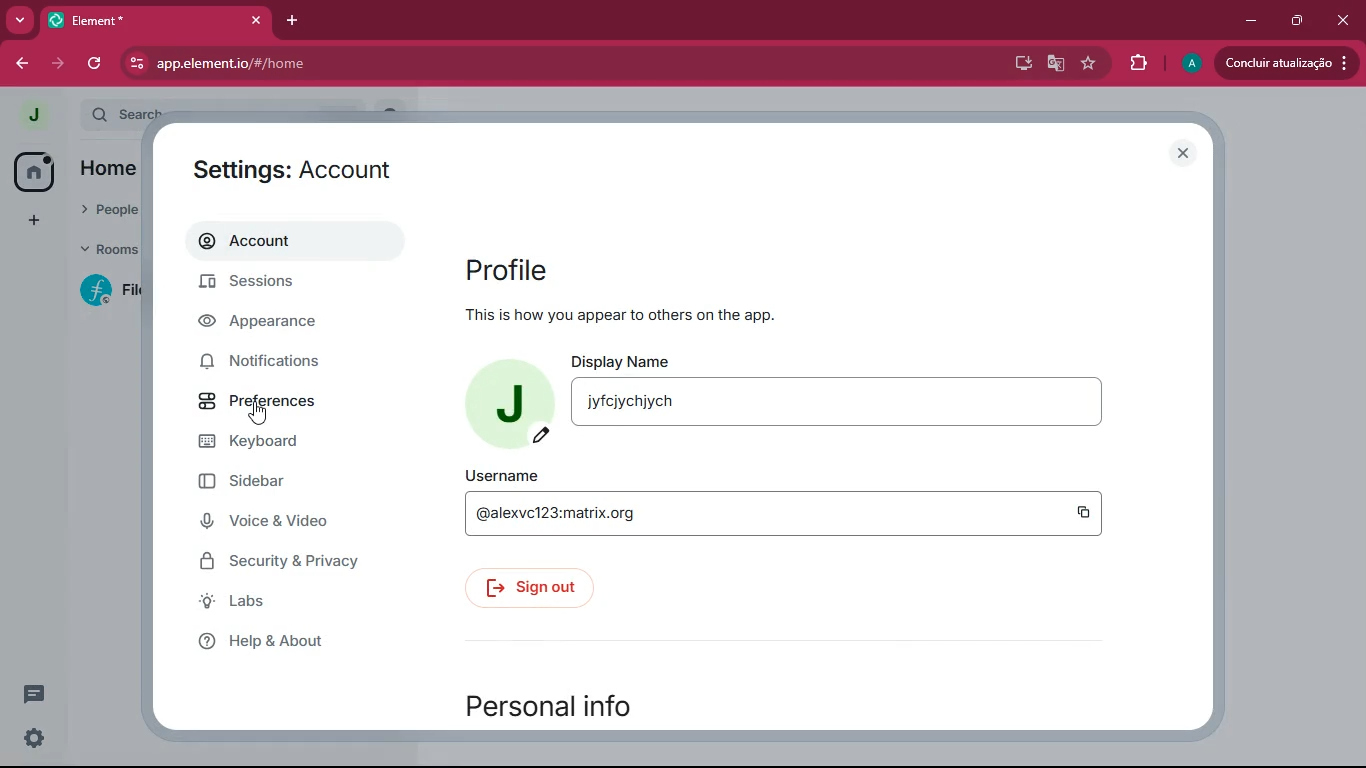  What do you see at coordinates (285, 365) in the screenshot?
I see `notifications` at bounding box center [285, 365].